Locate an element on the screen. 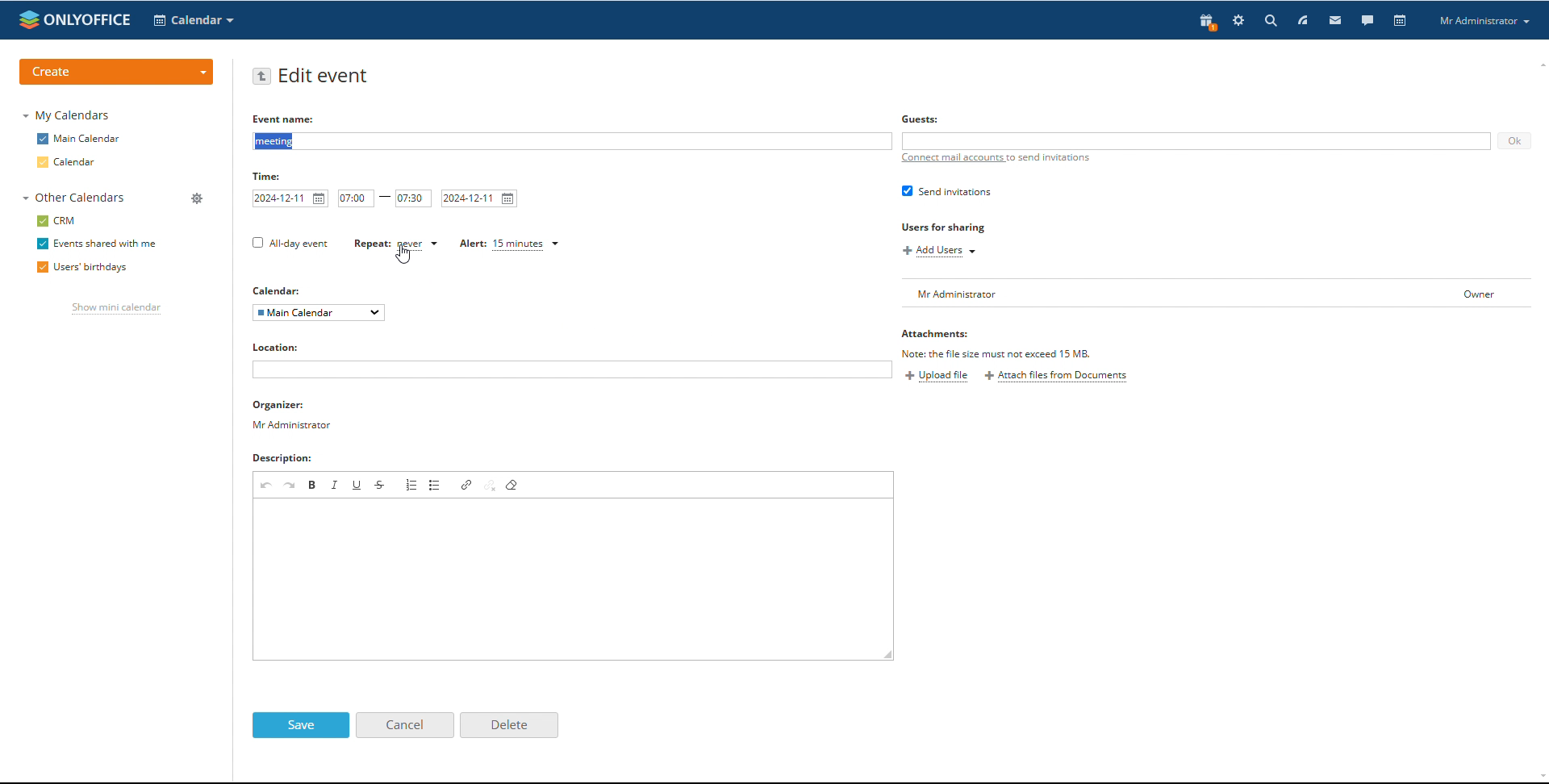 The width and height of the screenshot is (1549, 784). end date is located at coordinates (480, 198).